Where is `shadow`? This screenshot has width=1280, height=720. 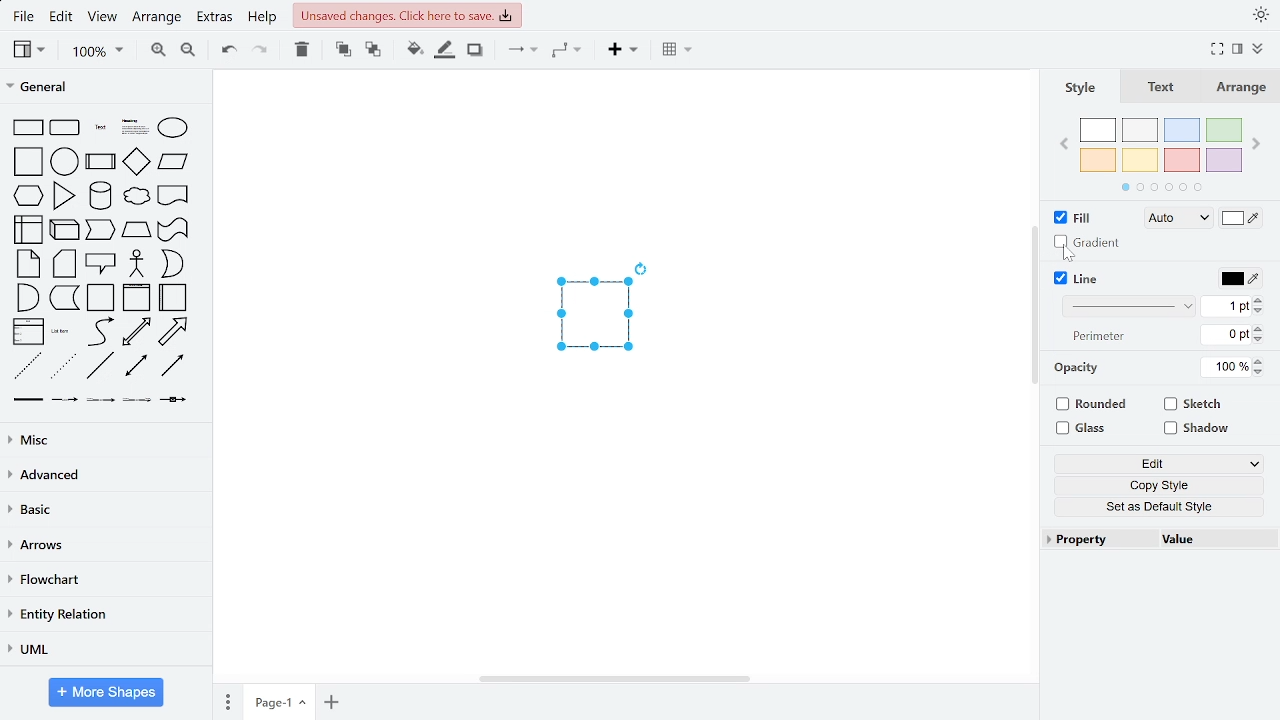
shadow is located at coordinates (1197, 430).